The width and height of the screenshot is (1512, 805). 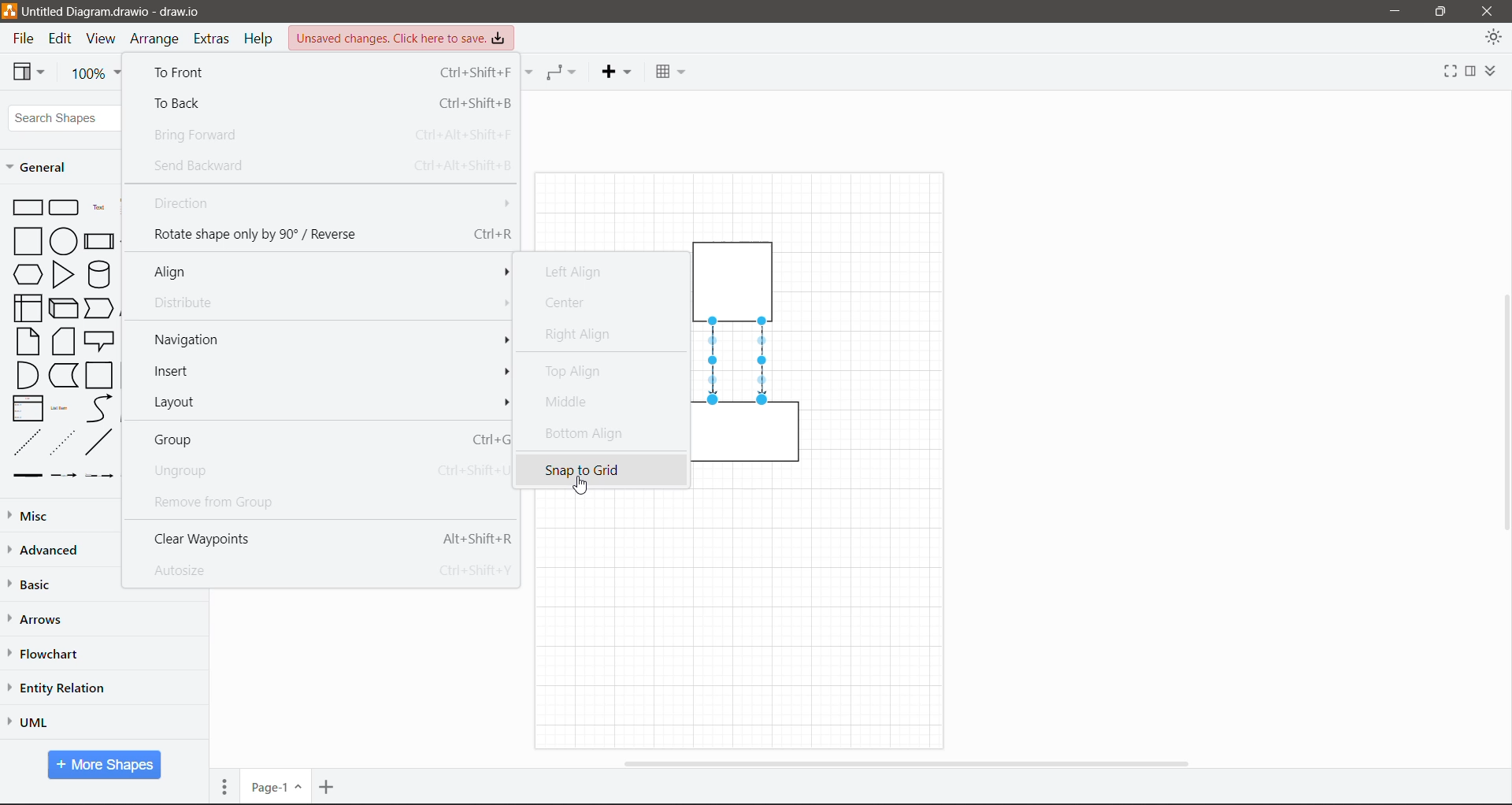 What do you see at coordinates (332, 402) in the screenshot?
I see `Layout` at bounding box center [332, 402].